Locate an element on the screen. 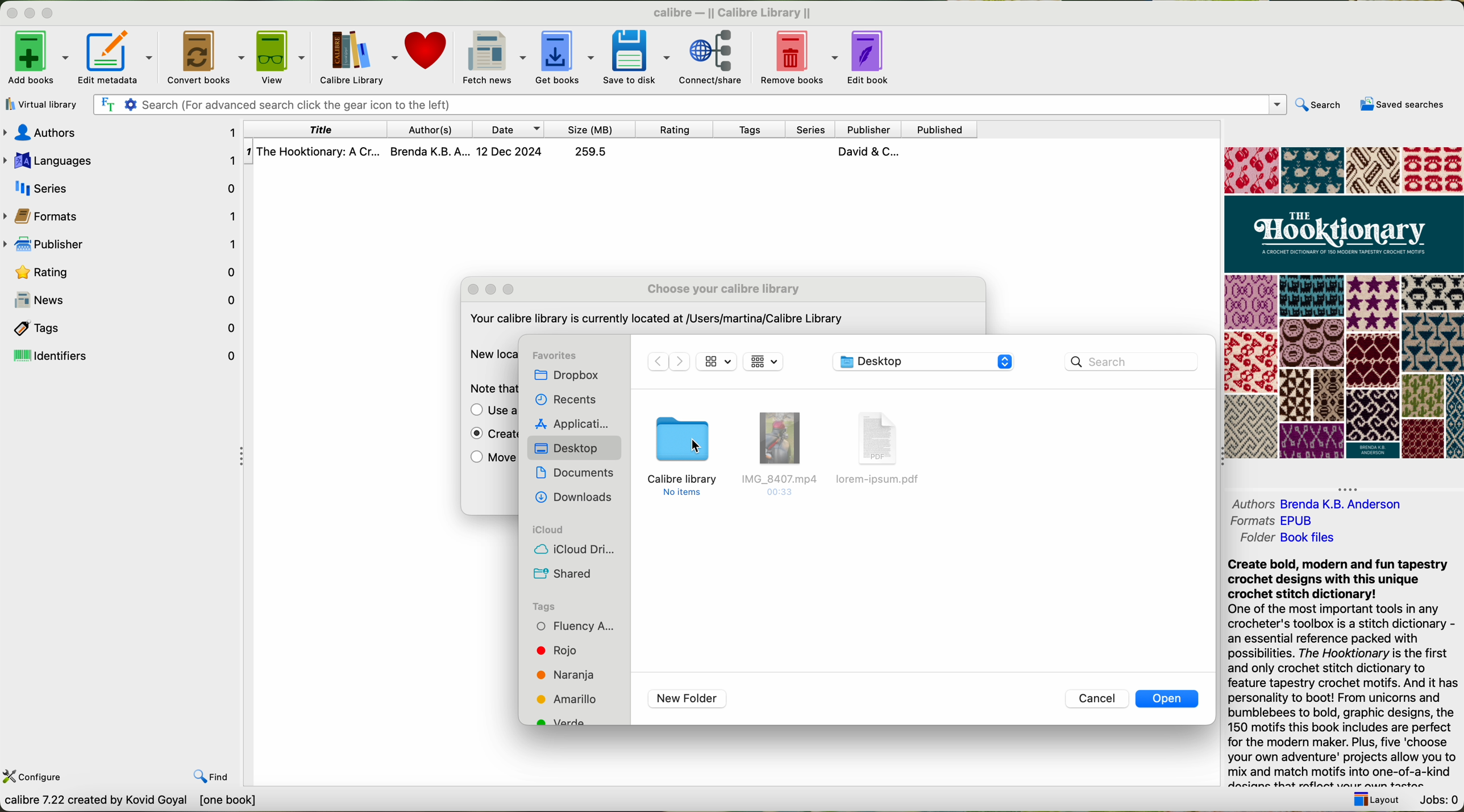 The image size is (1464, 812). icon is located at coordinates (714, 360).